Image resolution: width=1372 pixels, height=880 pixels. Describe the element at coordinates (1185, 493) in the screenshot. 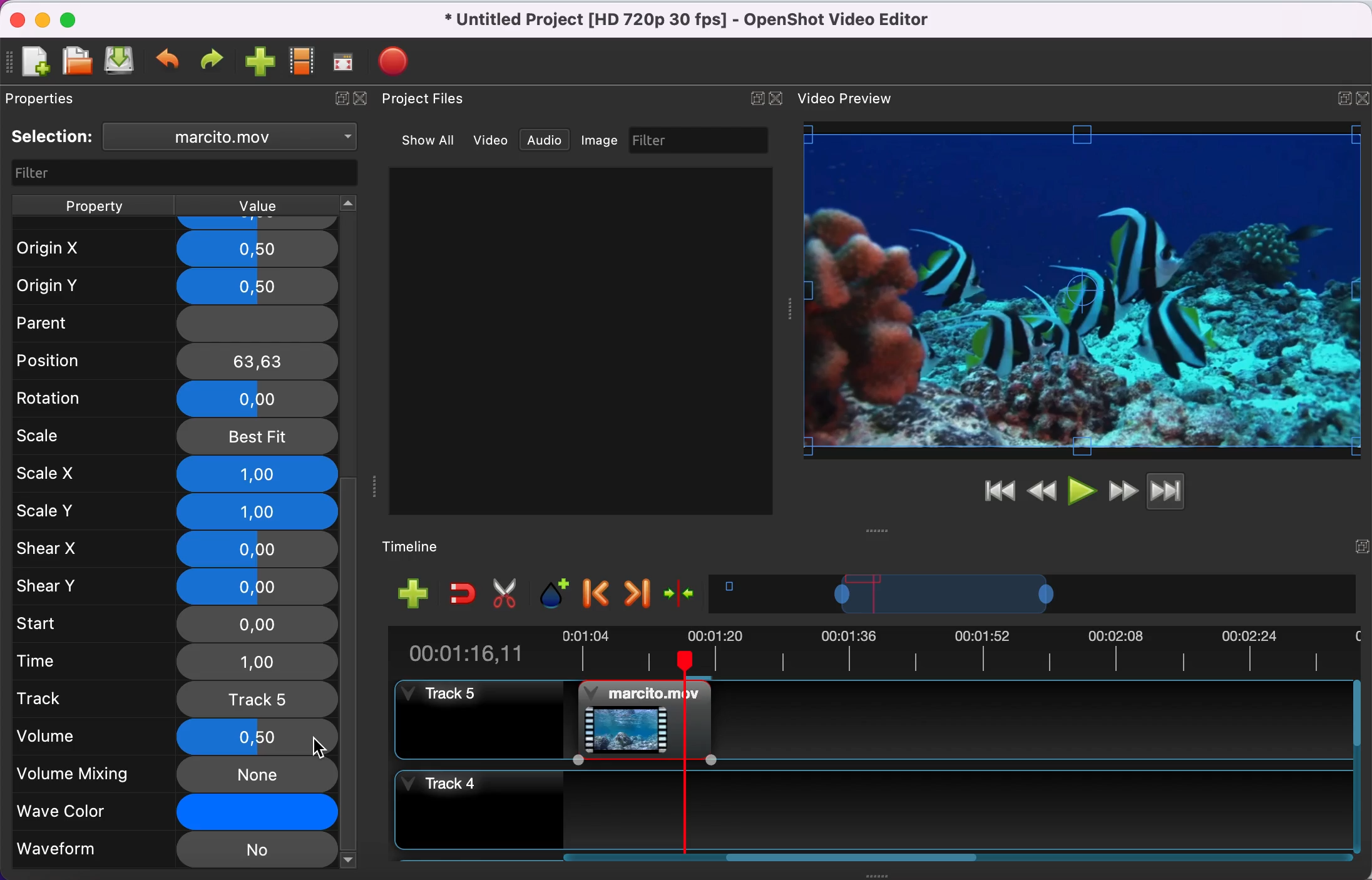

I see `jump to end` at that location.